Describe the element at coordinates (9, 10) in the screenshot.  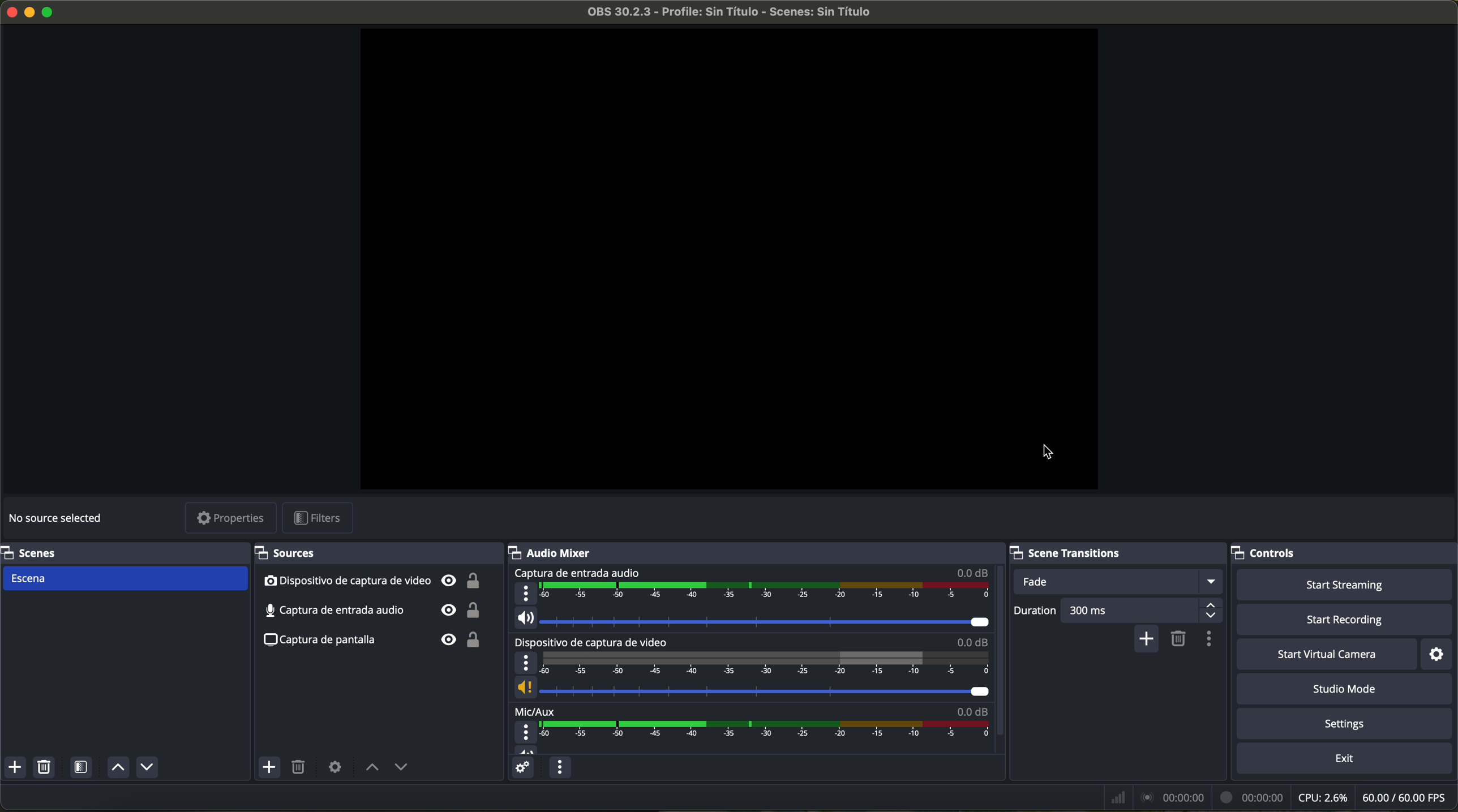
I see `close program` at that location.